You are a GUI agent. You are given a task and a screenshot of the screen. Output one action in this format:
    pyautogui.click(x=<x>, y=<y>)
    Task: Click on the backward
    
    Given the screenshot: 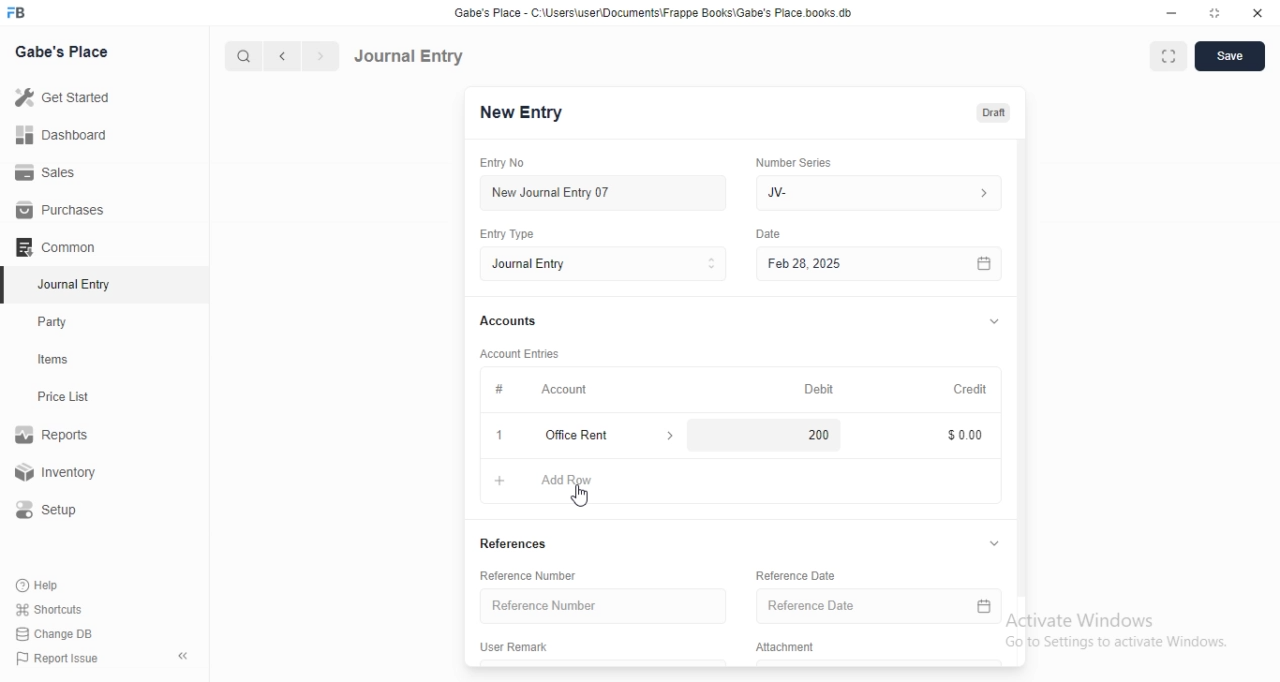 What is the action you would take?
    pyautogui.click(x=281, y=56)
    